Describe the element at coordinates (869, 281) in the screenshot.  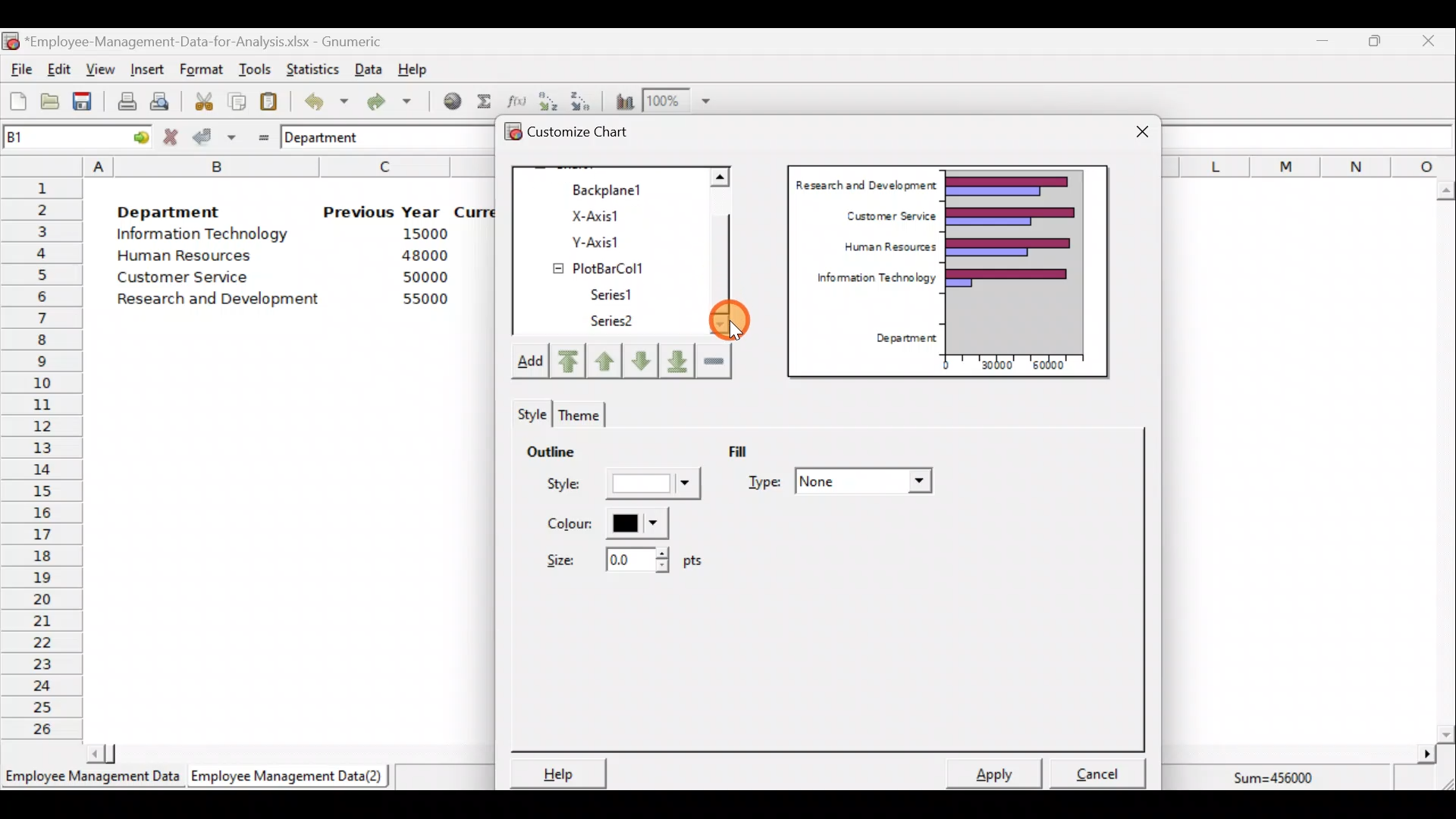
I see `Information Technology` at that location.